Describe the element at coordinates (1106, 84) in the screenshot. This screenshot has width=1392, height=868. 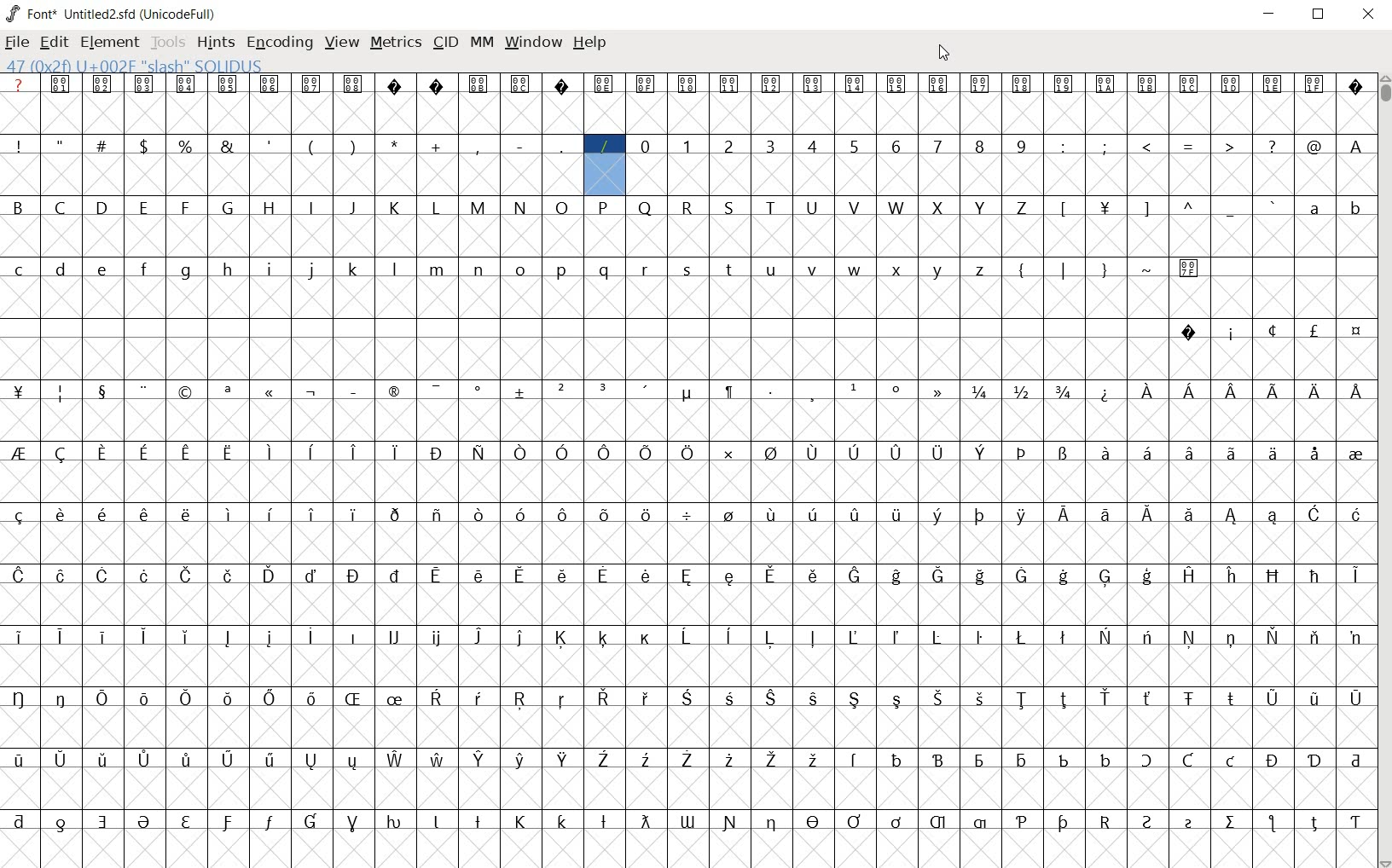
I see `glyph` at that location.